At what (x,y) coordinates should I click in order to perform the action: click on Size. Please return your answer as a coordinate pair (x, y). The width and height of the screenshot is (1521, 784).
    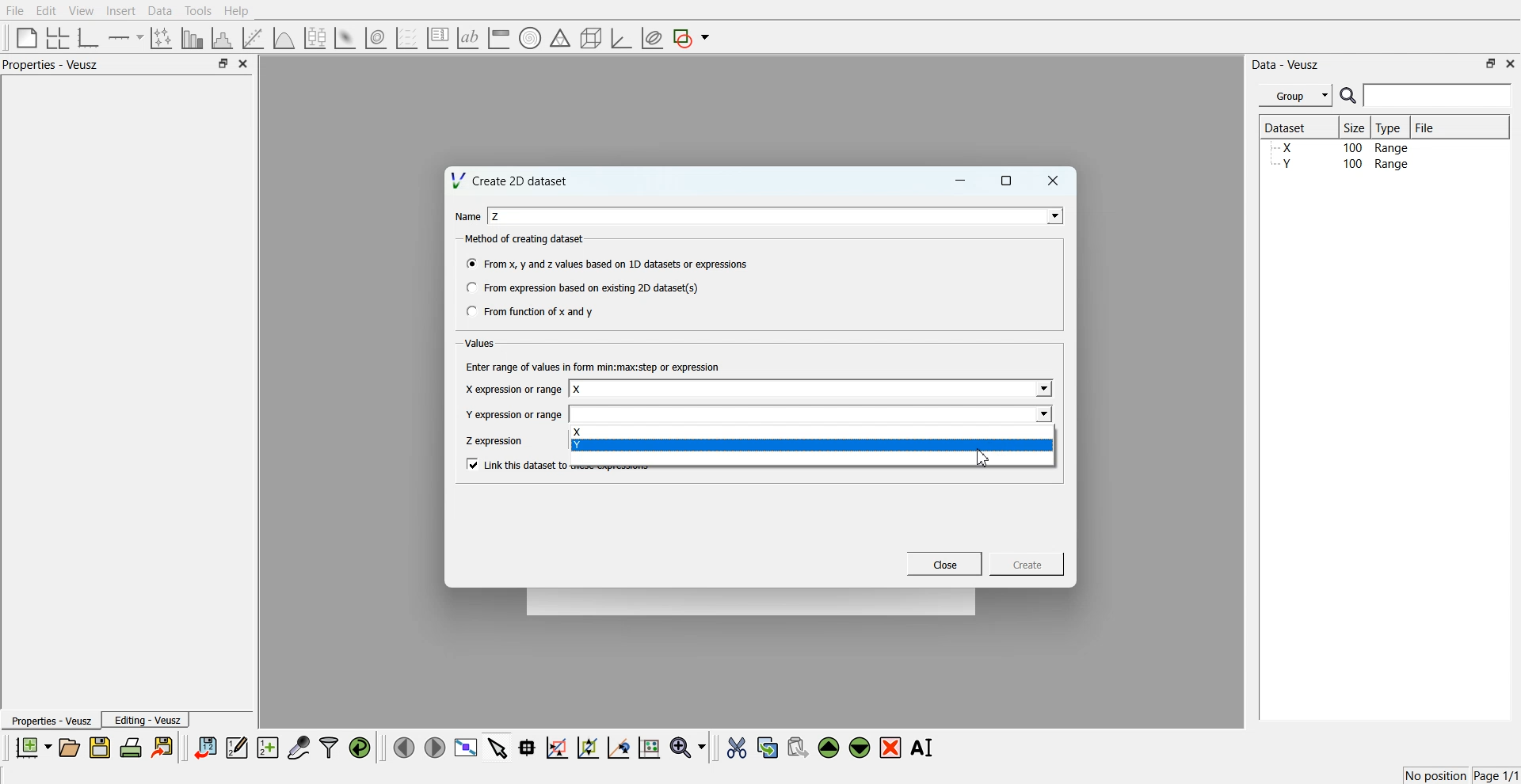
    Looking at the image, I should click on (1355, 127).